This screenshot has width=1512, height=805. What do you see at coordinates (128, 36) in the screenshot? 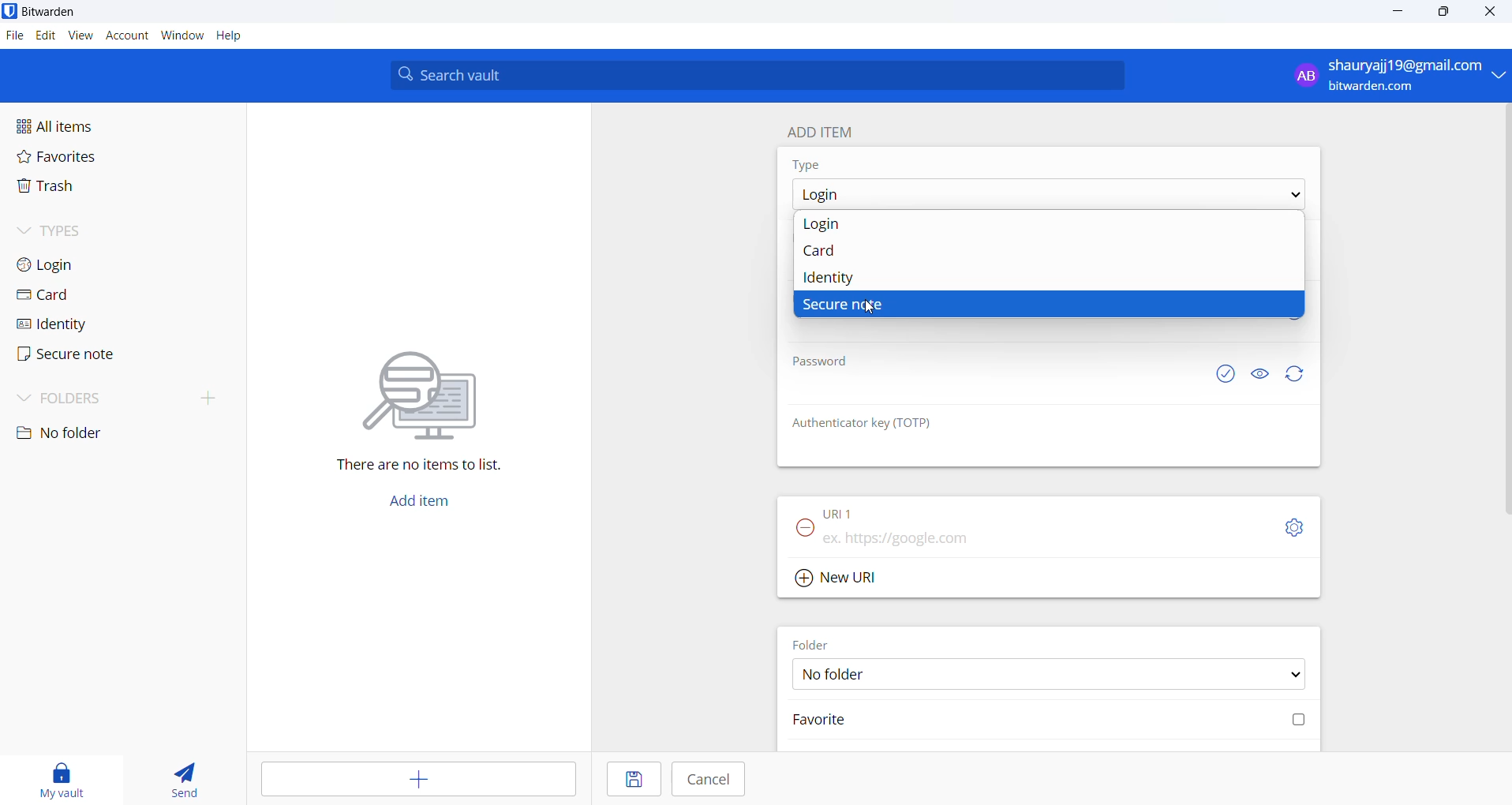
I see `account` at bounding box center [128, 36].